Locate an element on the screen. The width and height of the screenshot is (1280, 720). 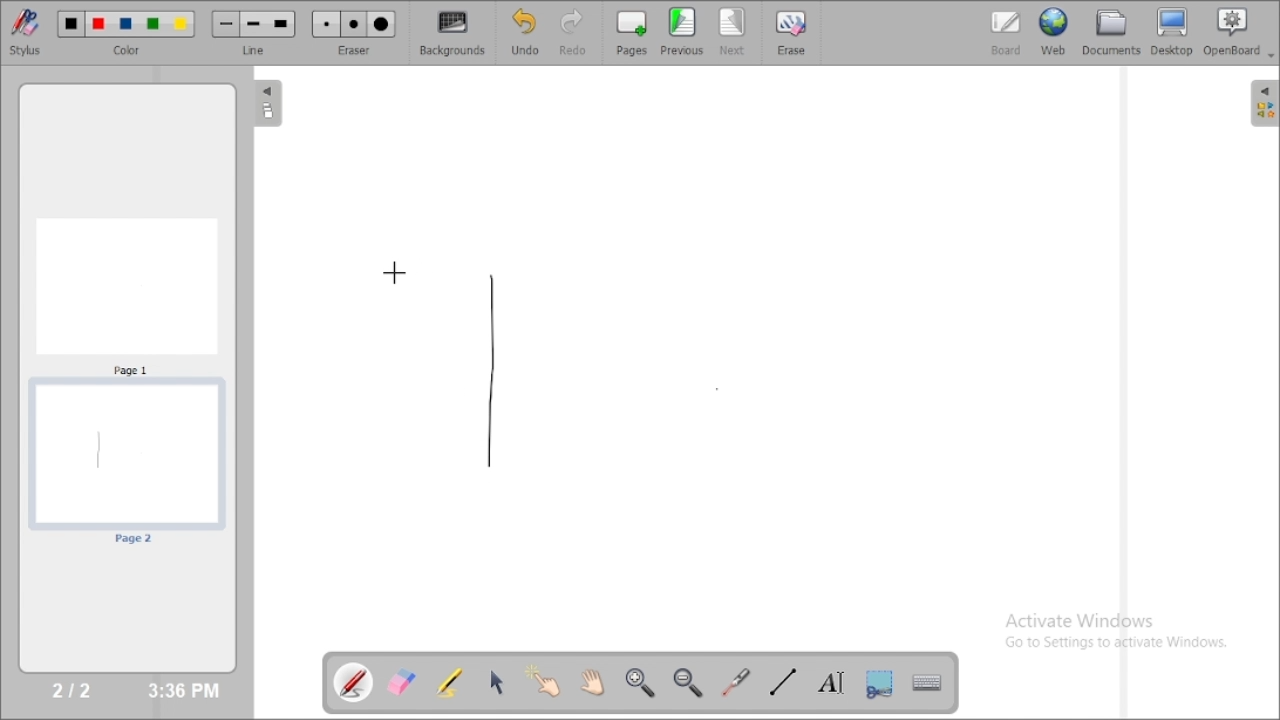
Page 1 is located at coordinates (127, 295).